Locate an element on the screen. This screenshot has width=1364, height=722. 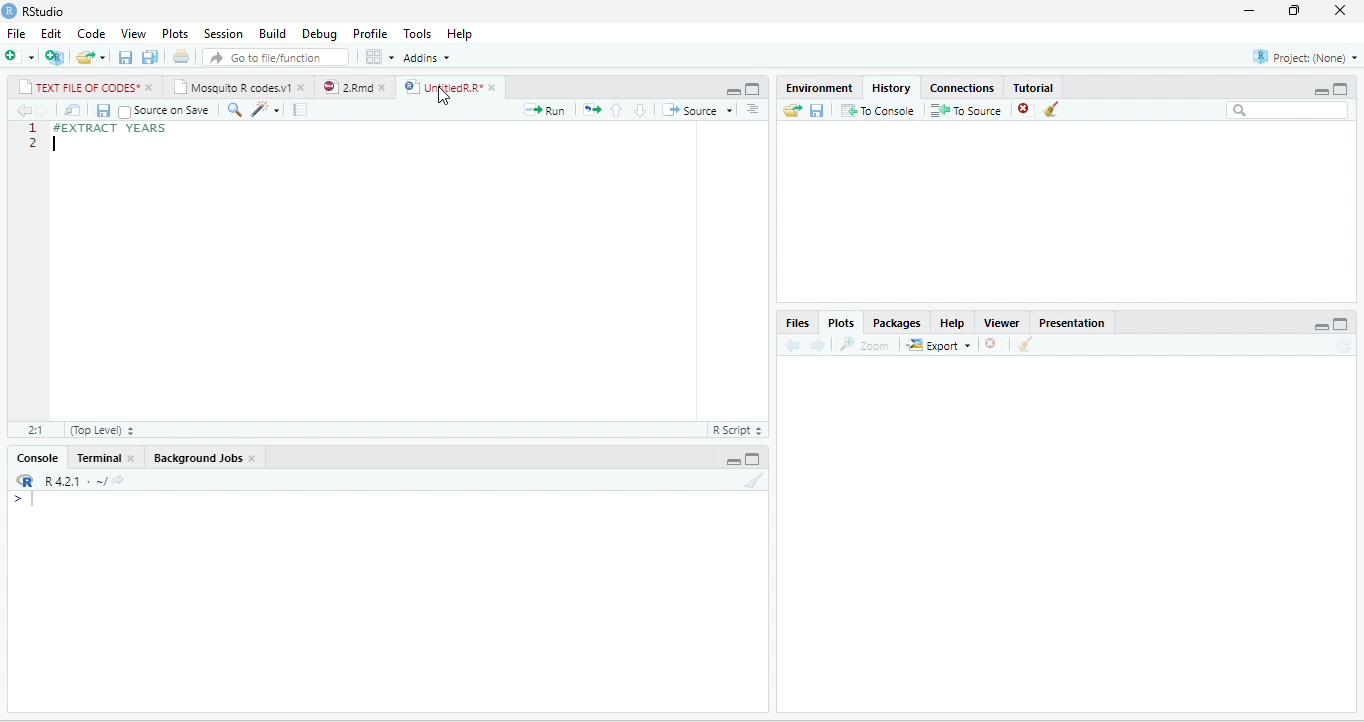
Mosquito R codes.v1 is located at coordinates (232, 87).